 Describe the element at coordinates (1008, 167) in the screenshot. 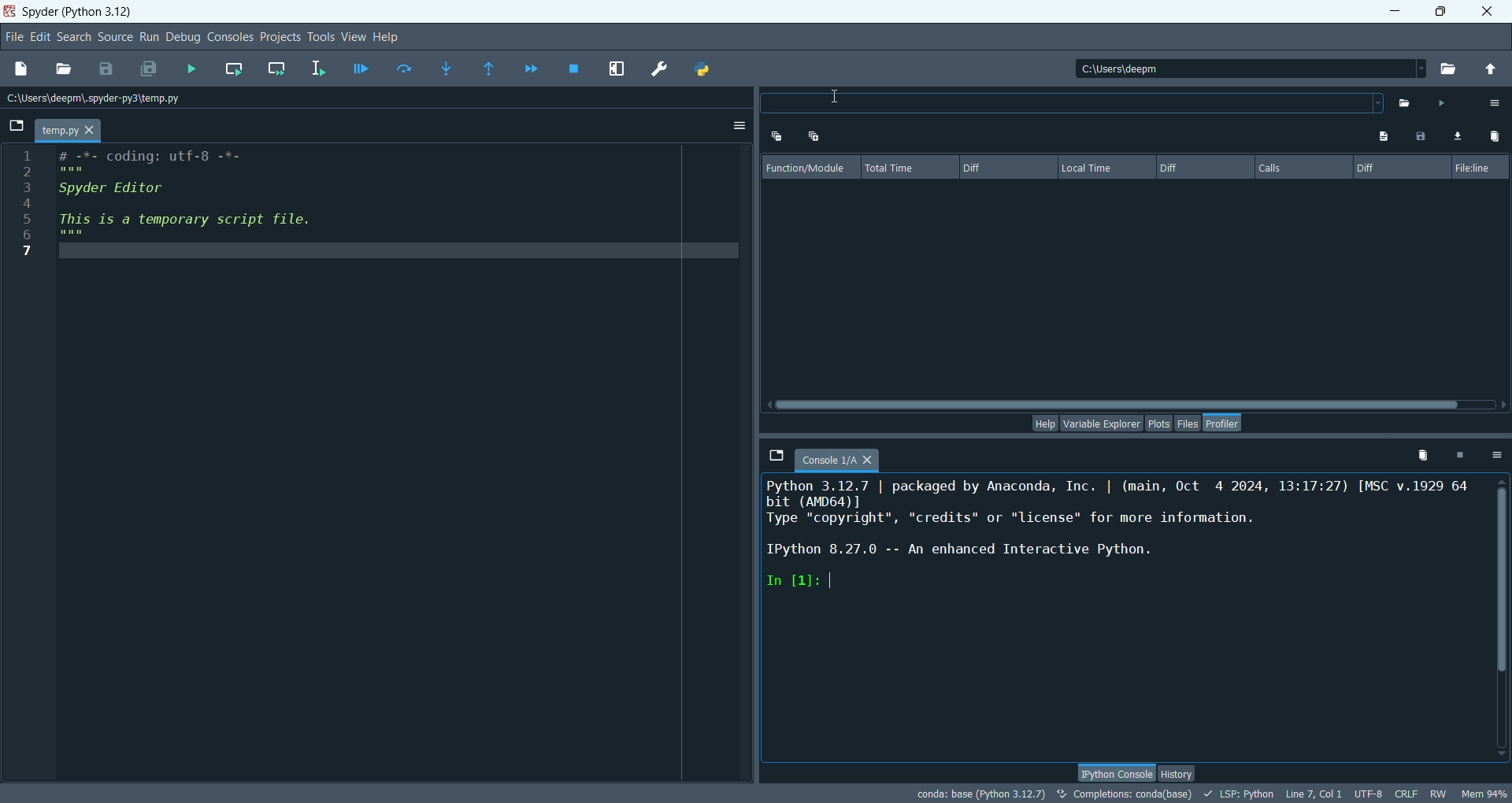

I see `diff` at that location.